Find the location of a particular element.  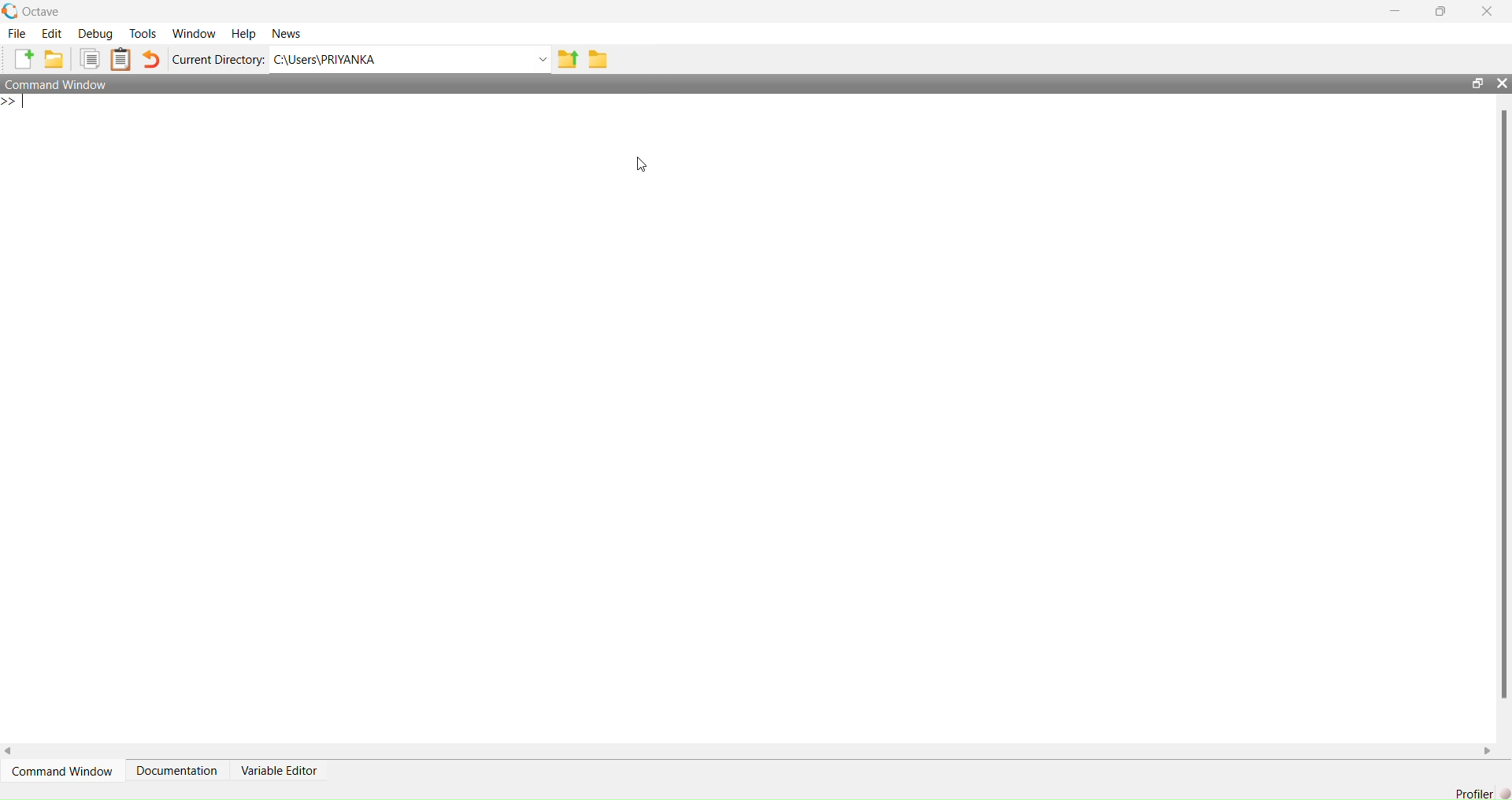

close is located at coordinates (1488, 11).